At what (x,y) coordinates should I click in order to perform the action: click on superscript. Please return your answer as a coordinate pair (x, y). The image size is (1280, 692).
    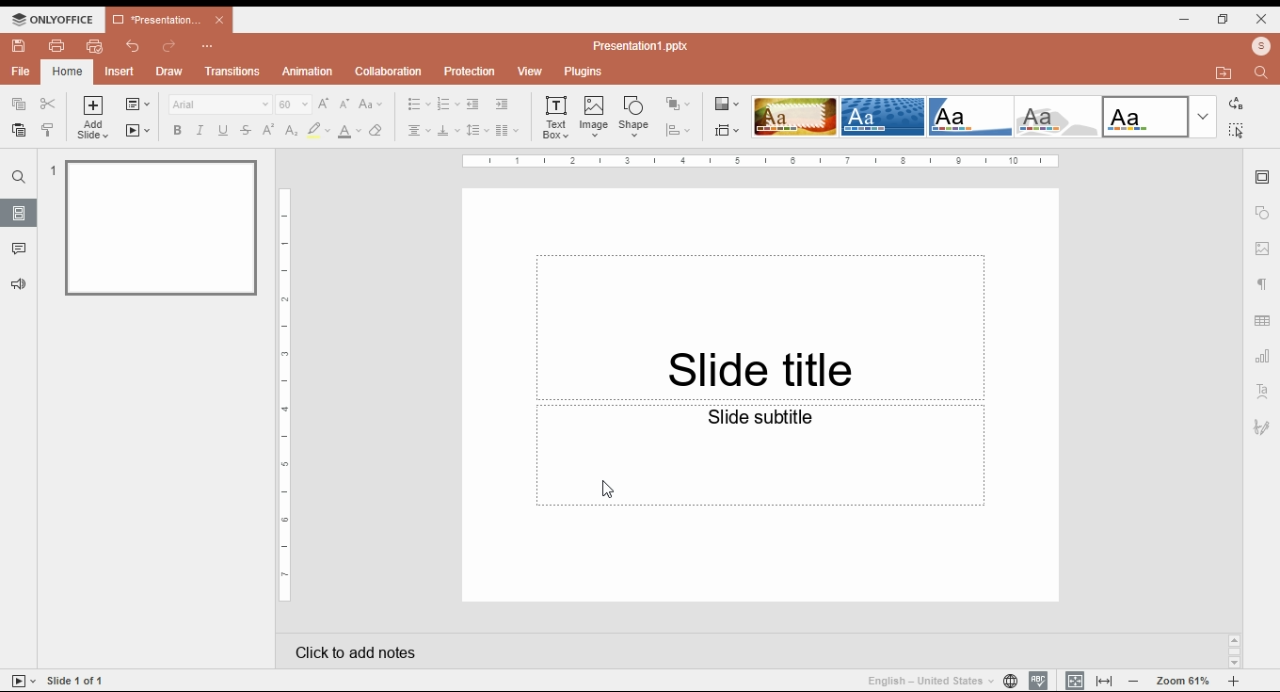
    Looking at the image, I should click on (269, 129).